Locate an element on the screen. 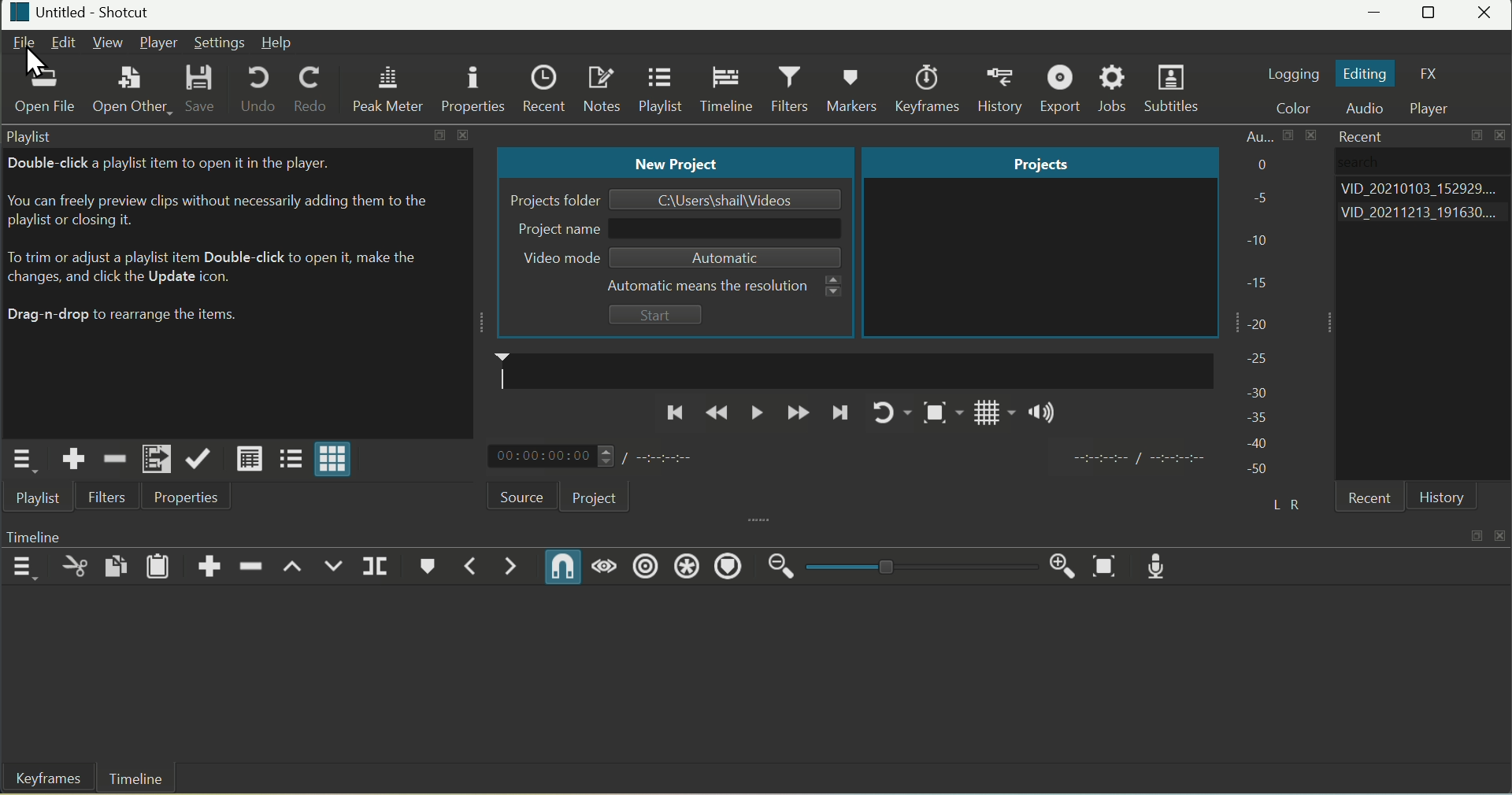  View as tiles is located at coordinates (289, 460).